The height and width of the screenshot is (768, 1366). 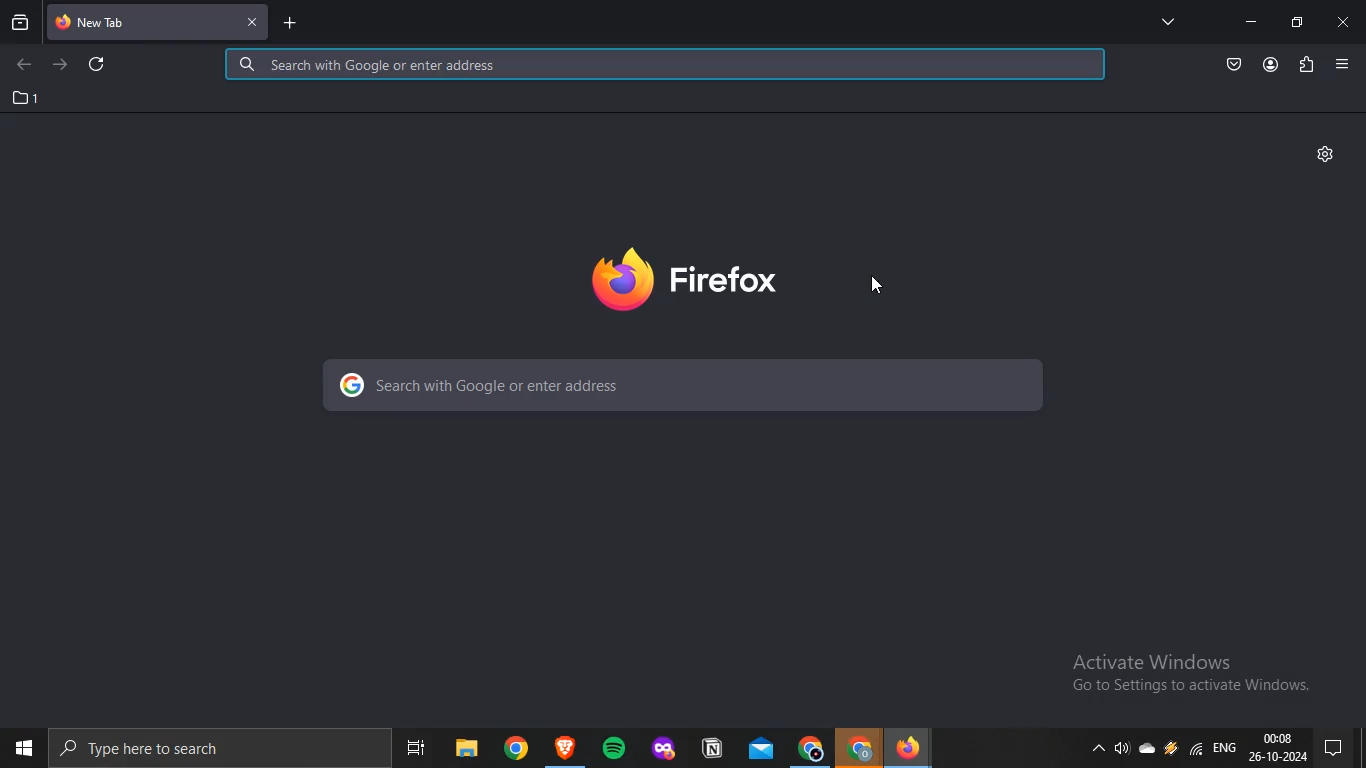 What do you see at coordinates (1251, 22) in the screenshot?
I see `minimize` at bounding box center [1251, 22].